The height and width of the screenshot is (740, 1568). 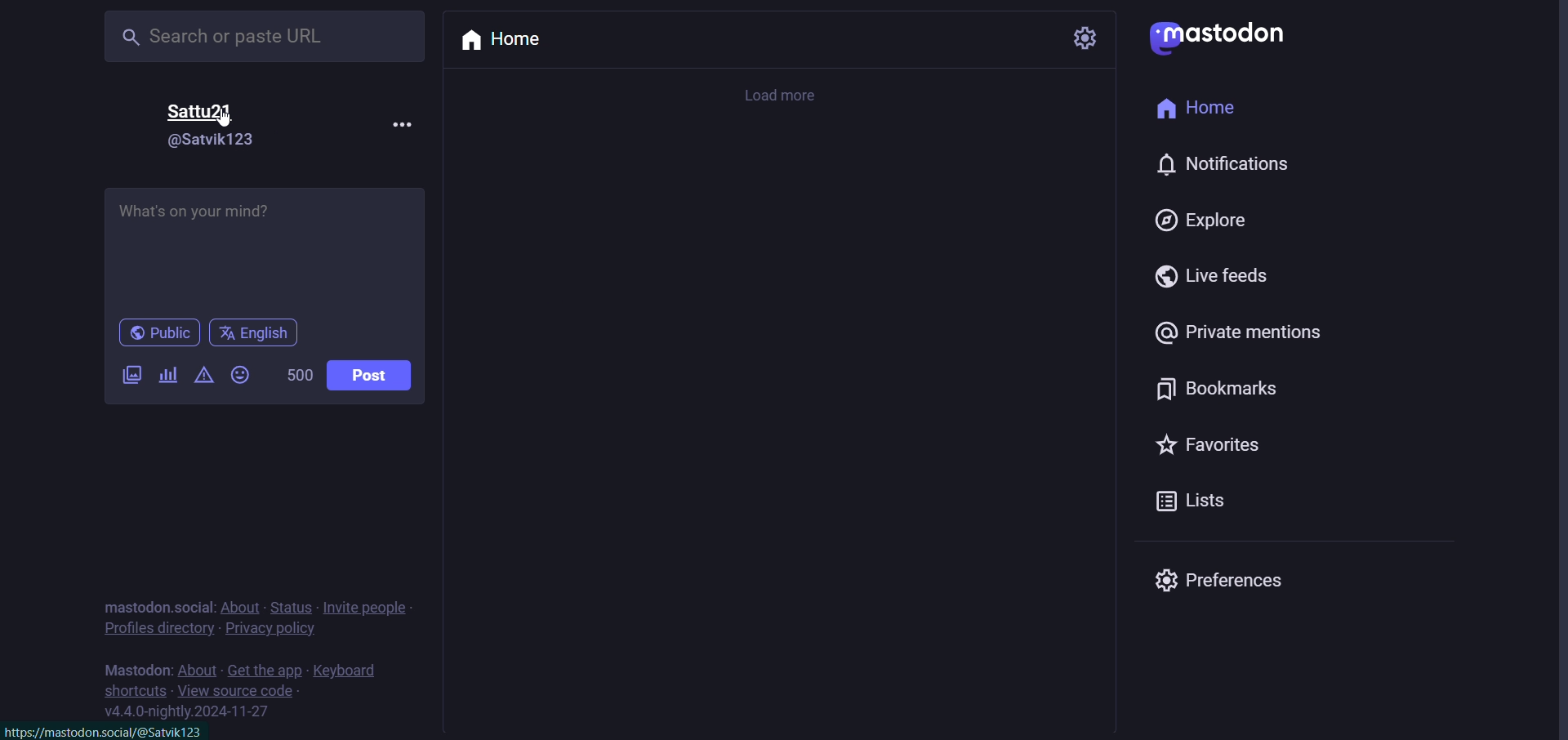 I want to click on public, so click(x=160, y=334).